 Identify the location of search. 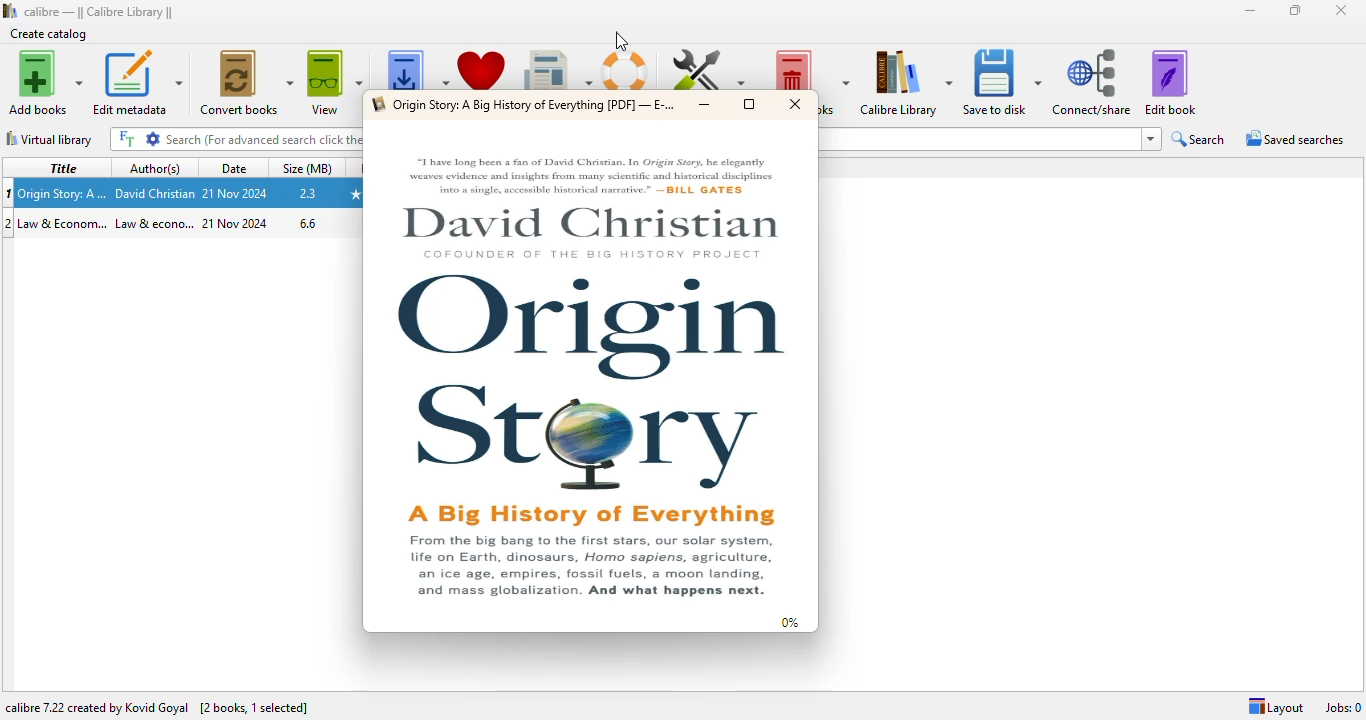
(265, 137).